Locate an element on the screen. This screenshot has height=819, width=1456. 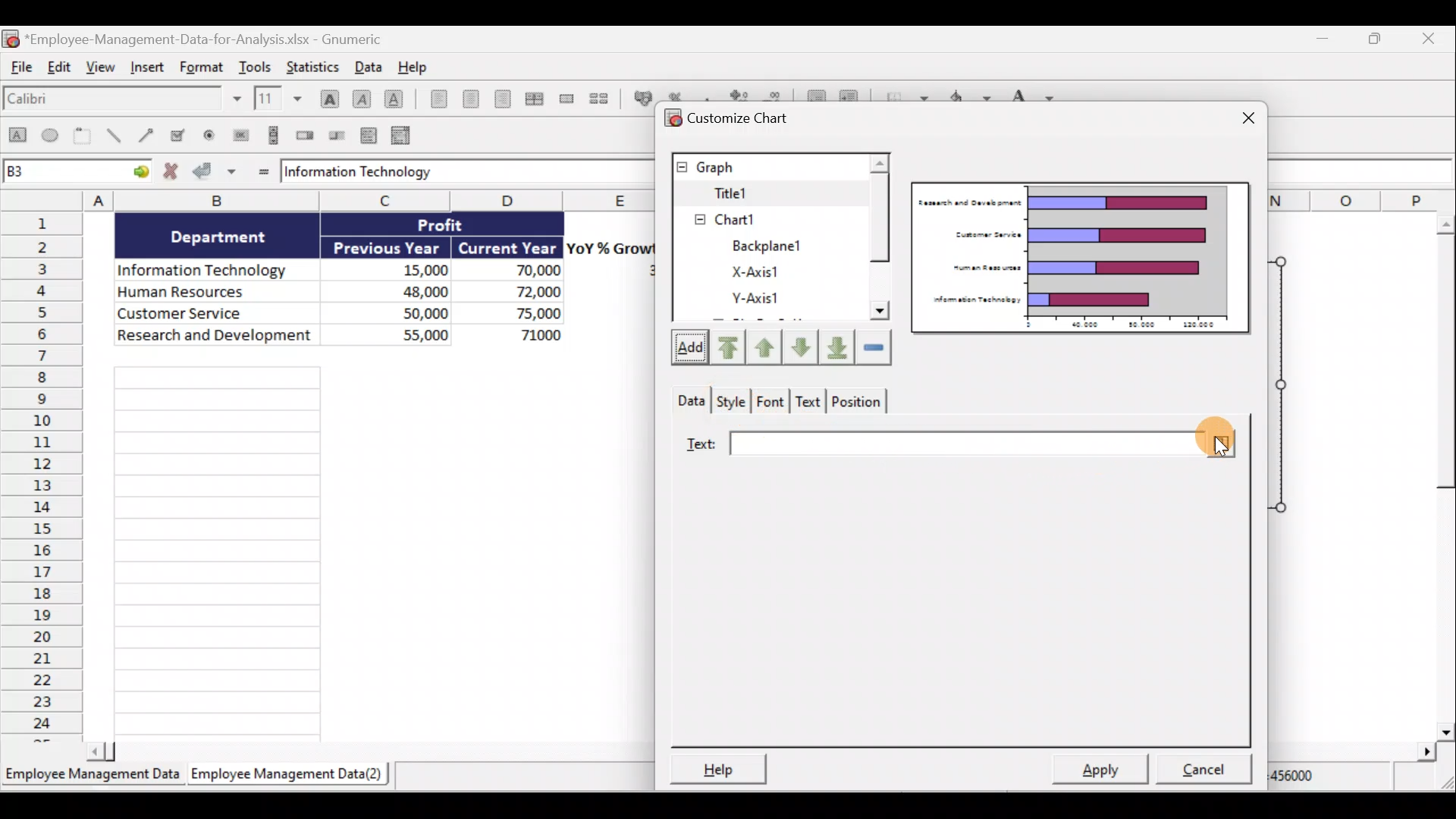
Font size 11 is located at coordinates (276, 98).